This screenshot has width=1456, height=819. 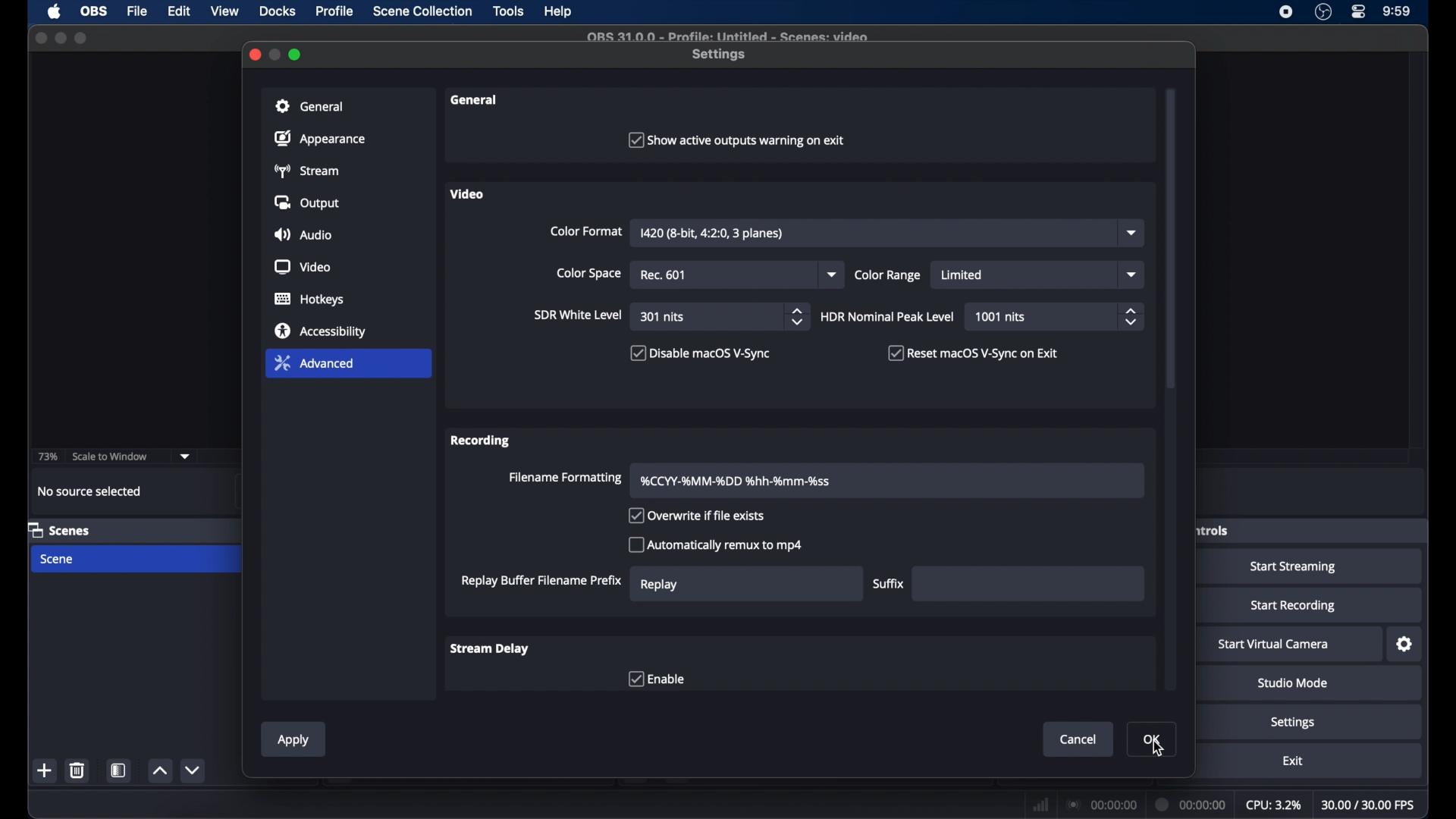 I want to click on checkbox, so click(x=977, y=353).